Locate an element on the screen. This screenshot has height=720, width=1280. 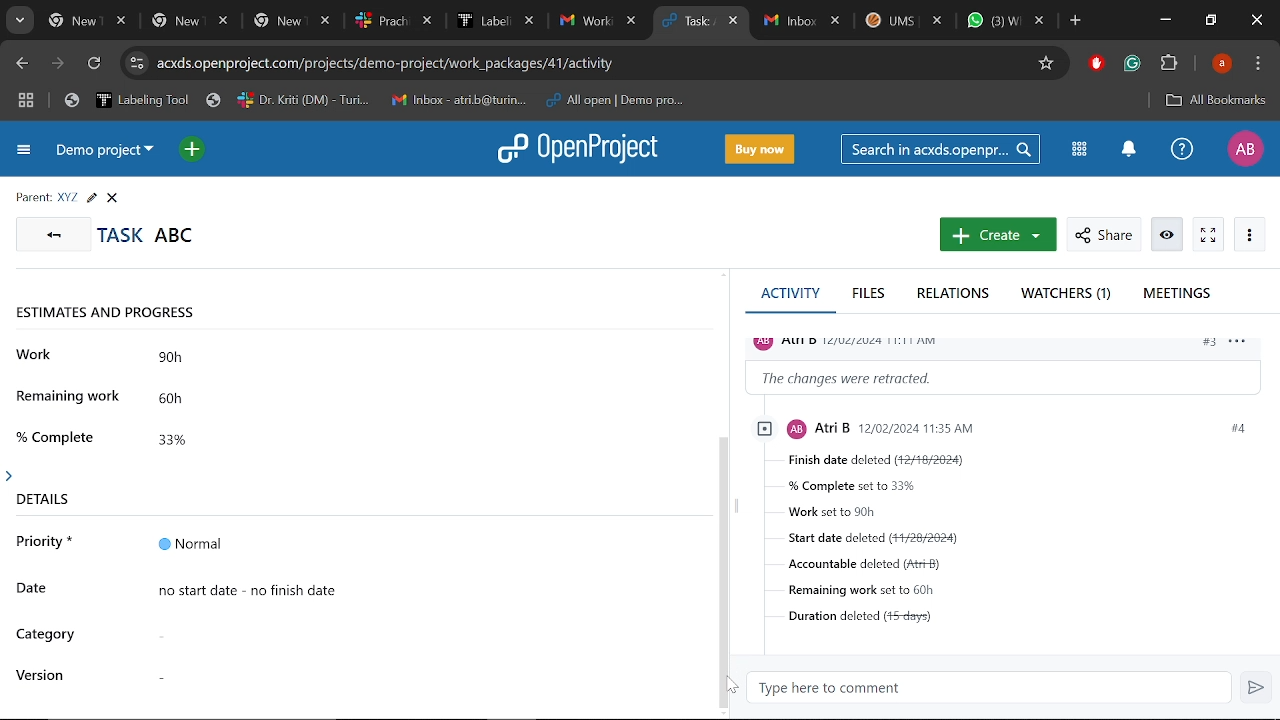
work is located at coordinates (37, 354).